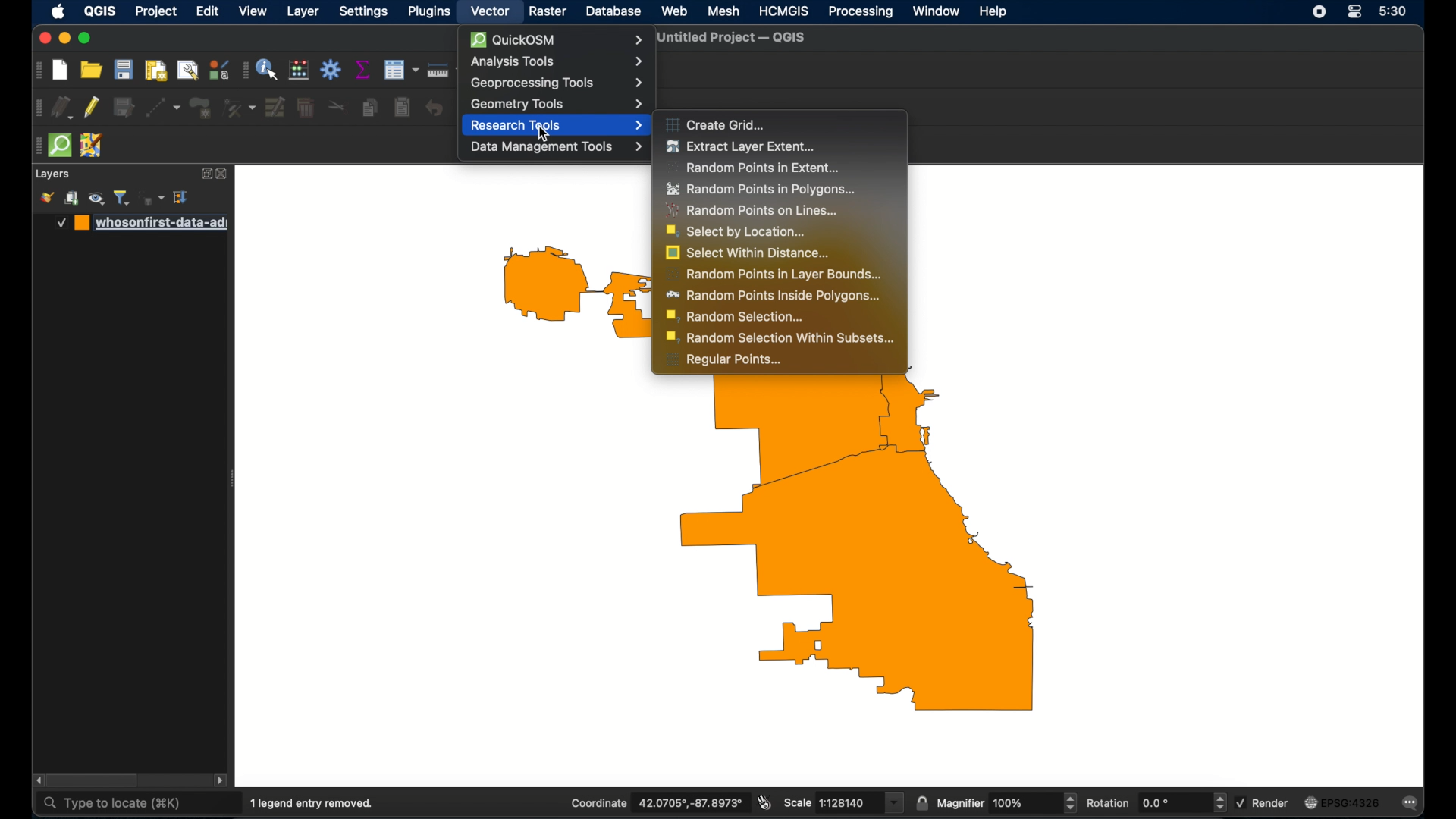  What do you see at coordinates (860, 11) in the screenshot?
I see `processing` at bounding box center [860, 11].